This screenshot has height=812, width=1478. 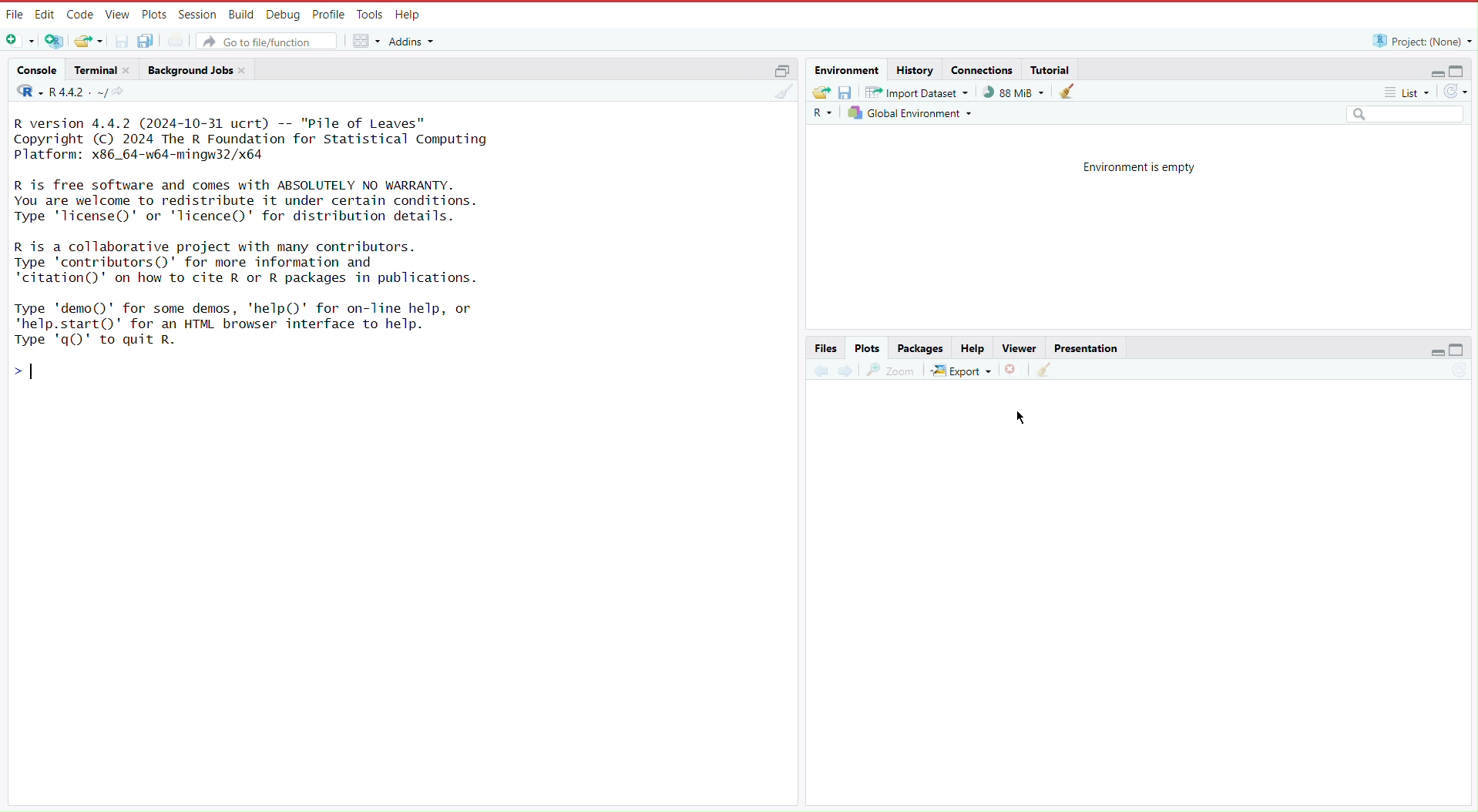 I want to click on Files, so click(x=827, y=347).